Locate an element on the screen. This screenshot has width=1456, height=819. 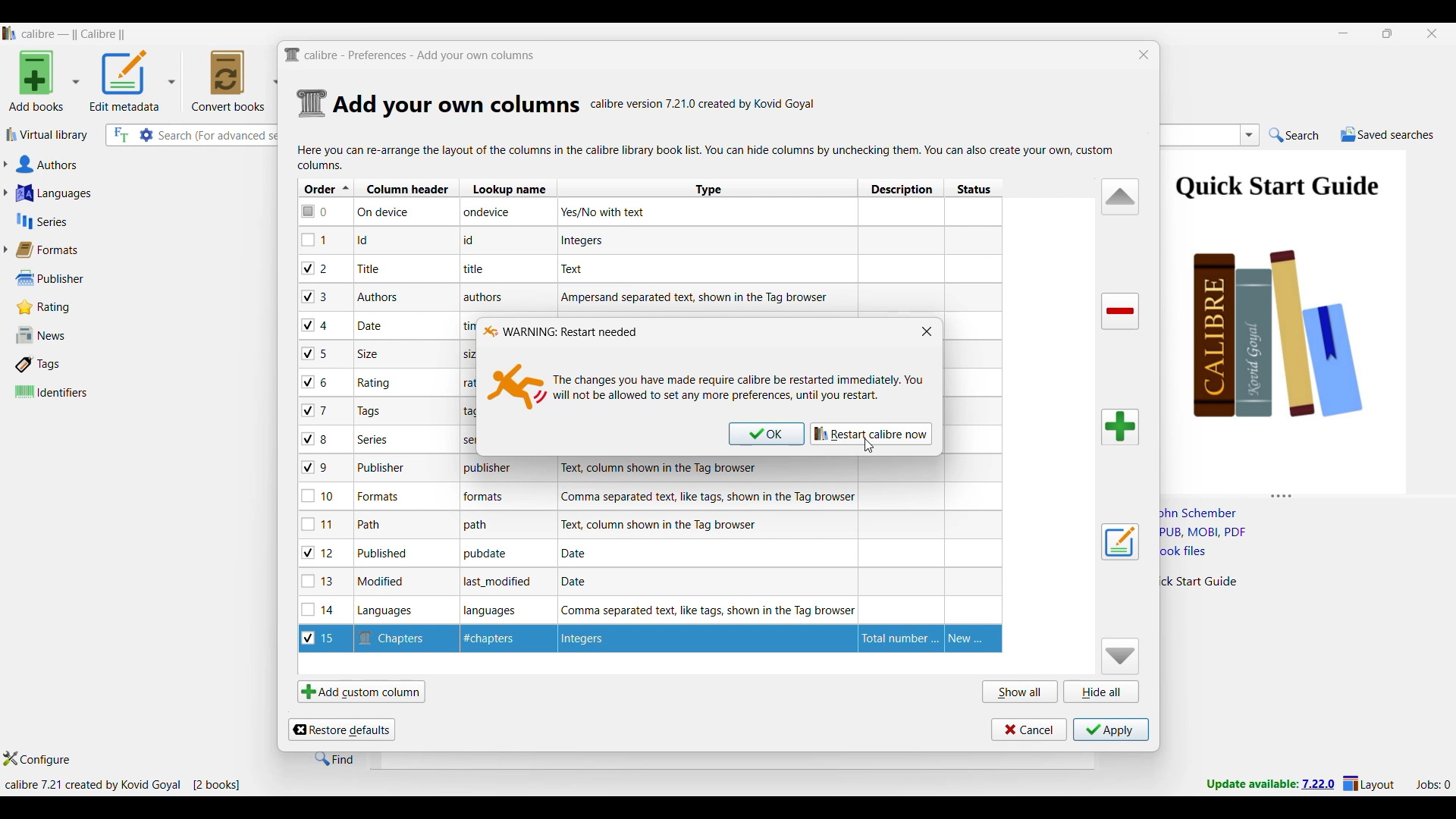
Add custom column is located at coordinates (361, 691).